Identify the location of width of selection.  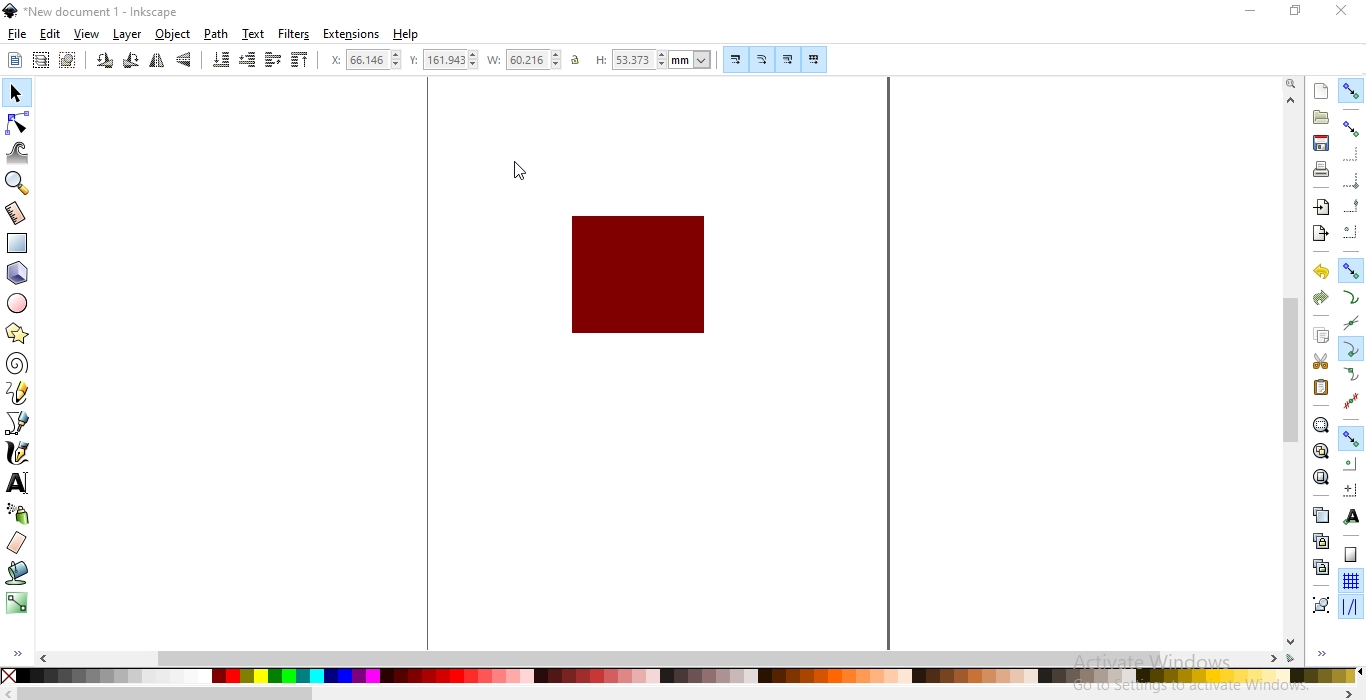
(496, 60).